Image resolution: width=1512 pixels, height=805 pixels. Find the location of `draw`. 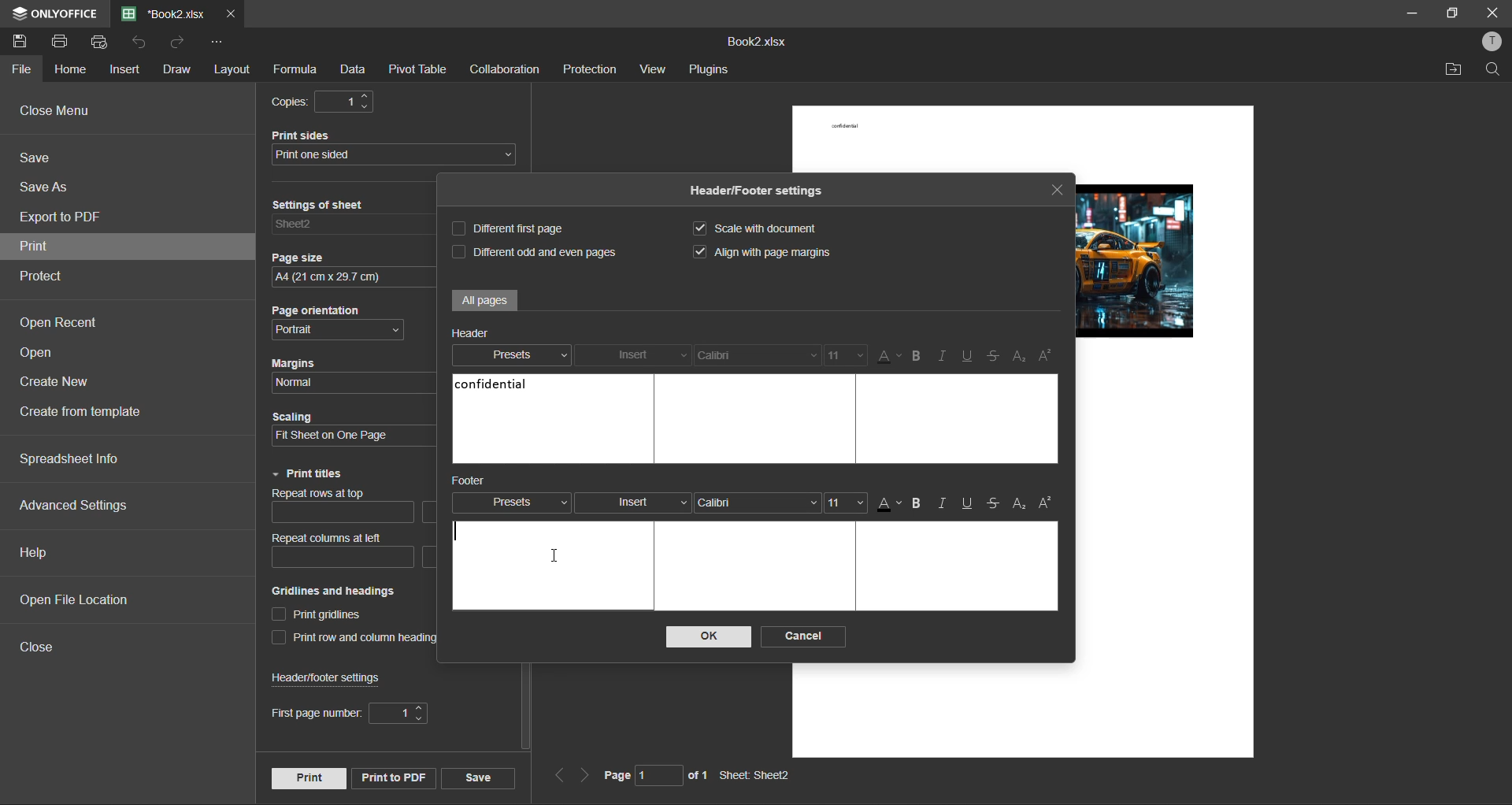

draw is located at coordinates (177, 71).